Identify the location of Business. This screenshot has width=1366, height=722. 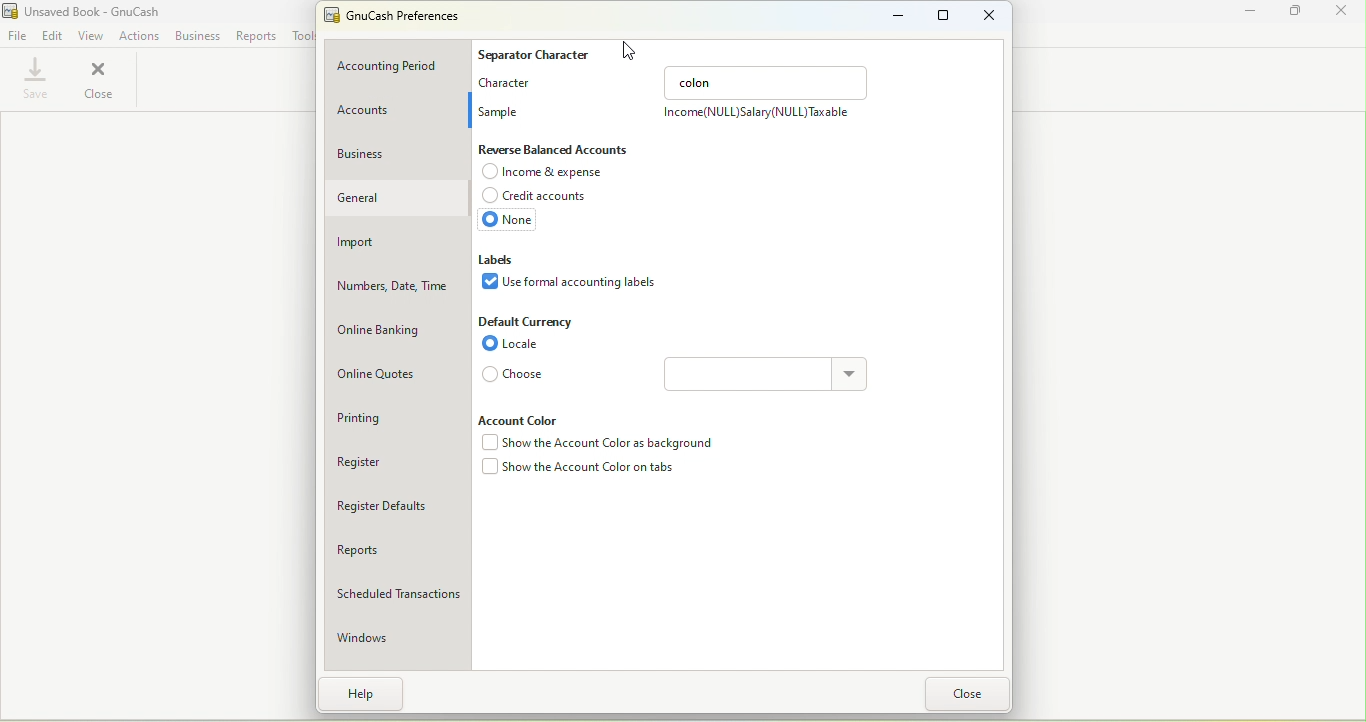
(400, 154).